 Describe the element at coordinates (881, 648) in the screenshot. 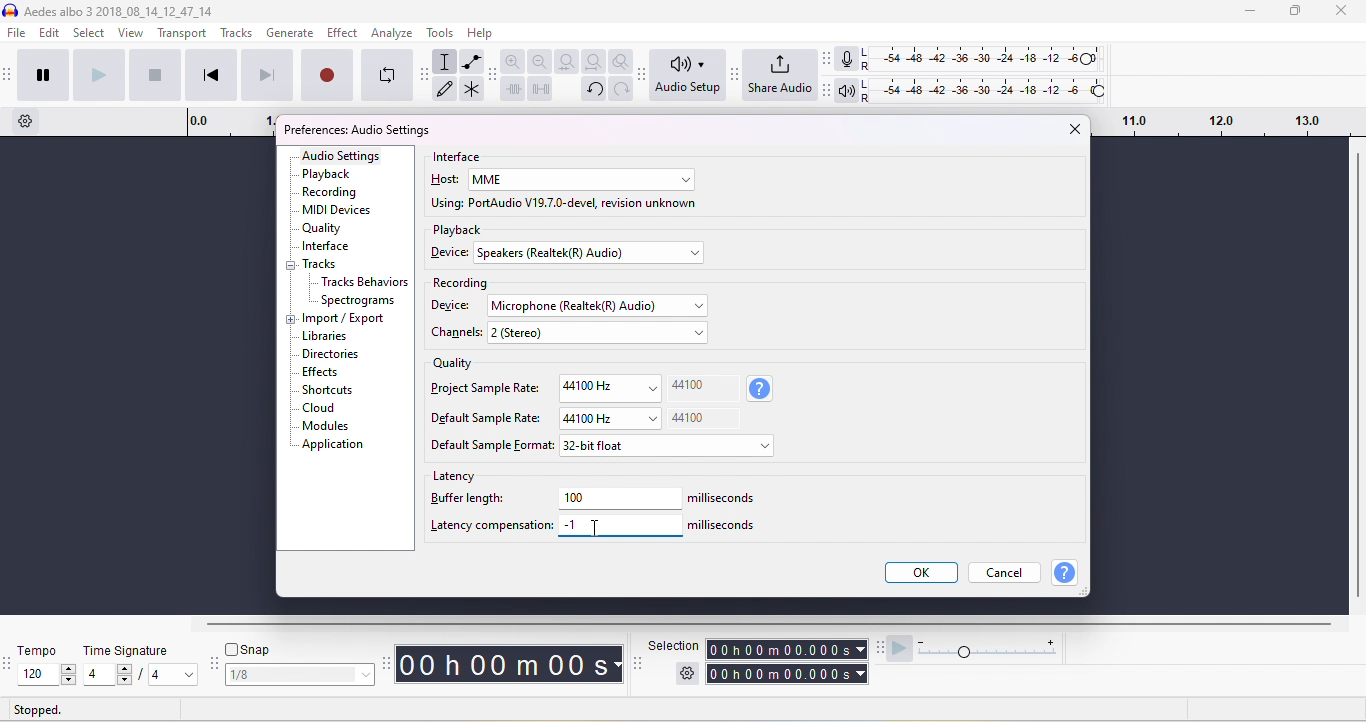

I see `audacity play at speed toolbar` at that location.